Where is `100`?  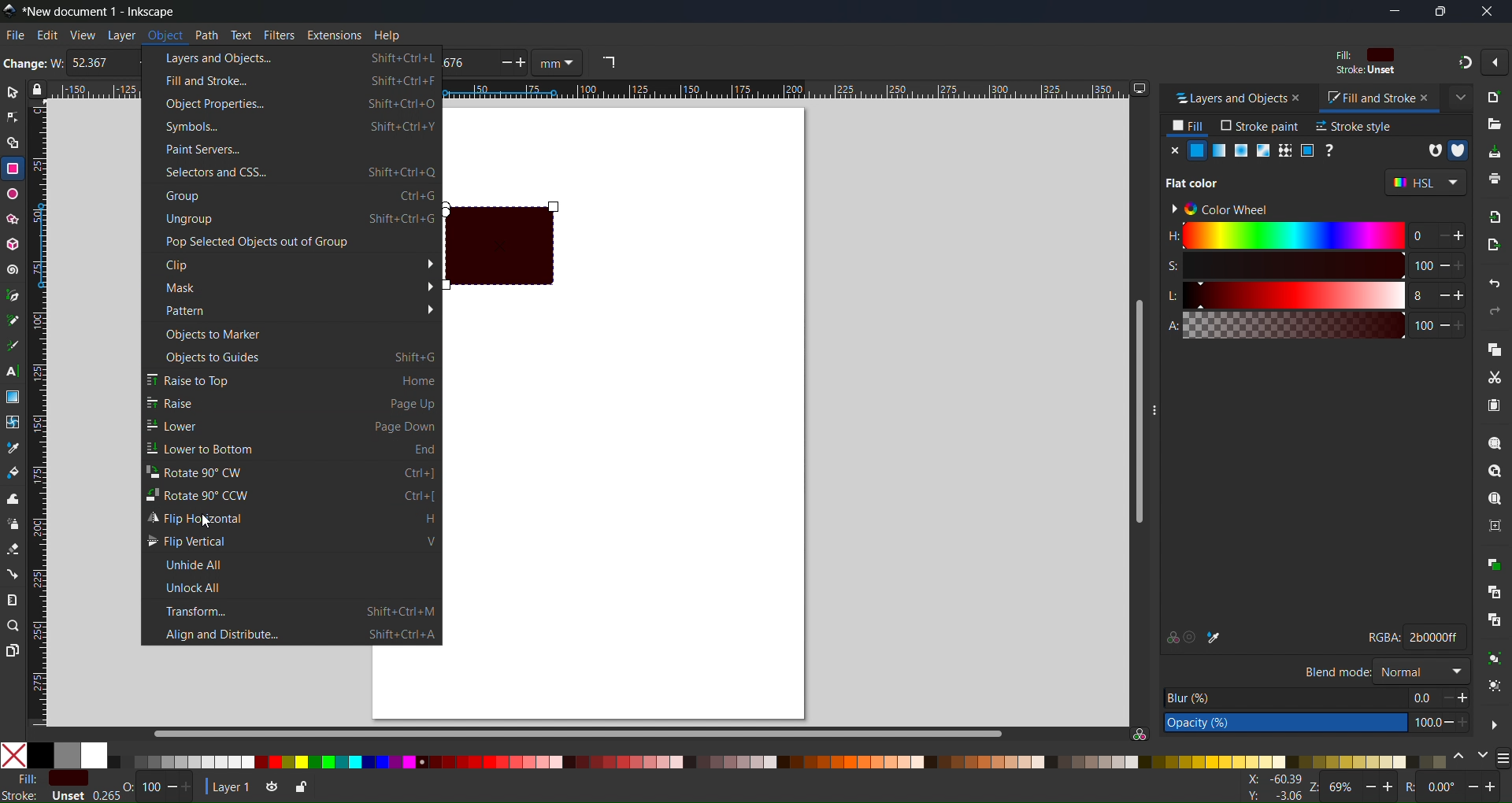
100 is located at coordinates (1422, 266).